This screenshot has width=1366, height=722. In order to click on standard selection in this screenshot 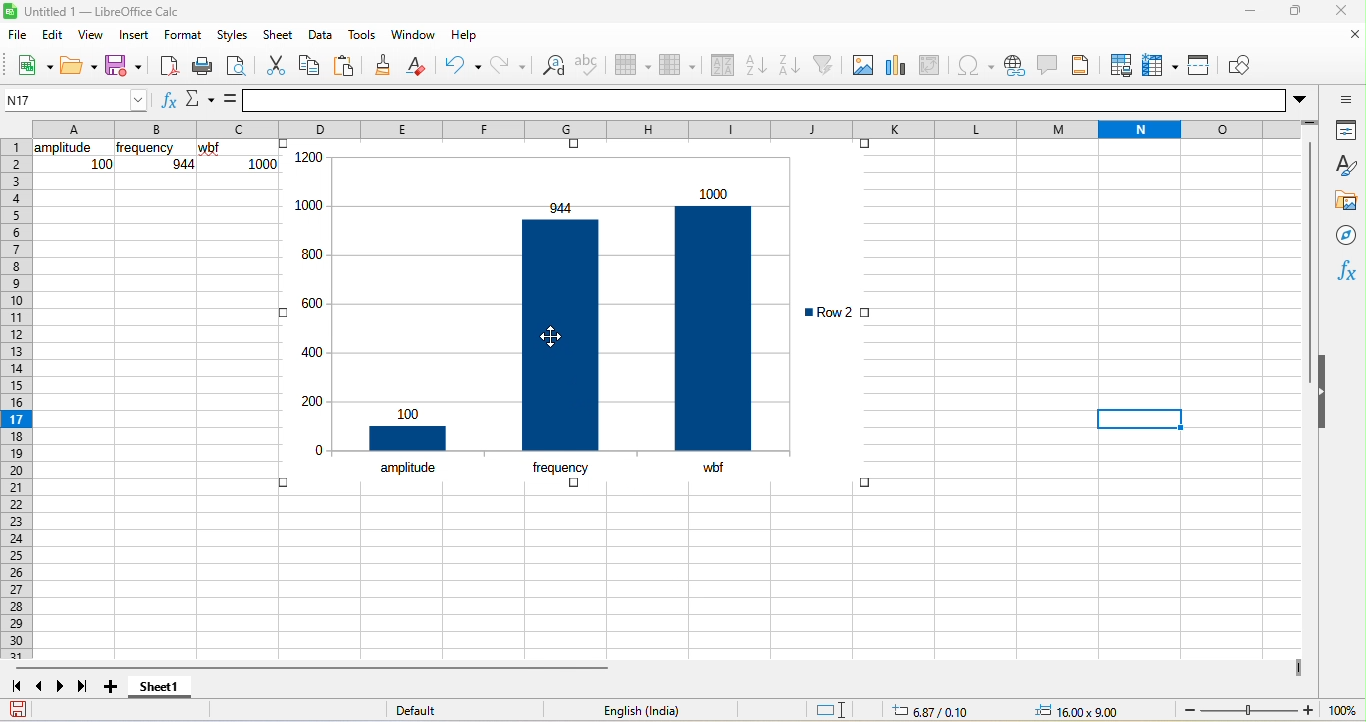, I will do `click(834, 712)`.